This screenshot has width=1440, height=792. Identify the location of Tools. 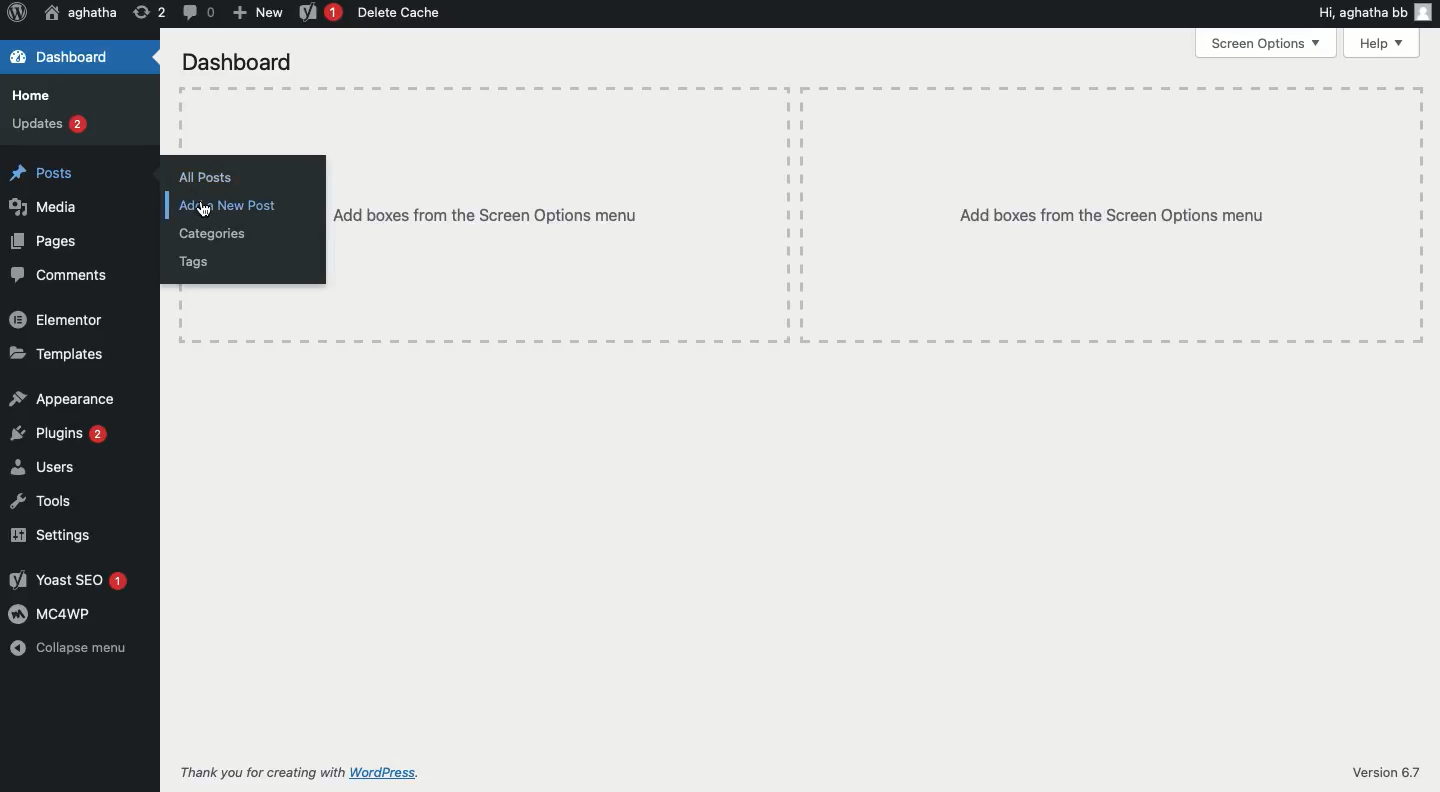
(42, 500).